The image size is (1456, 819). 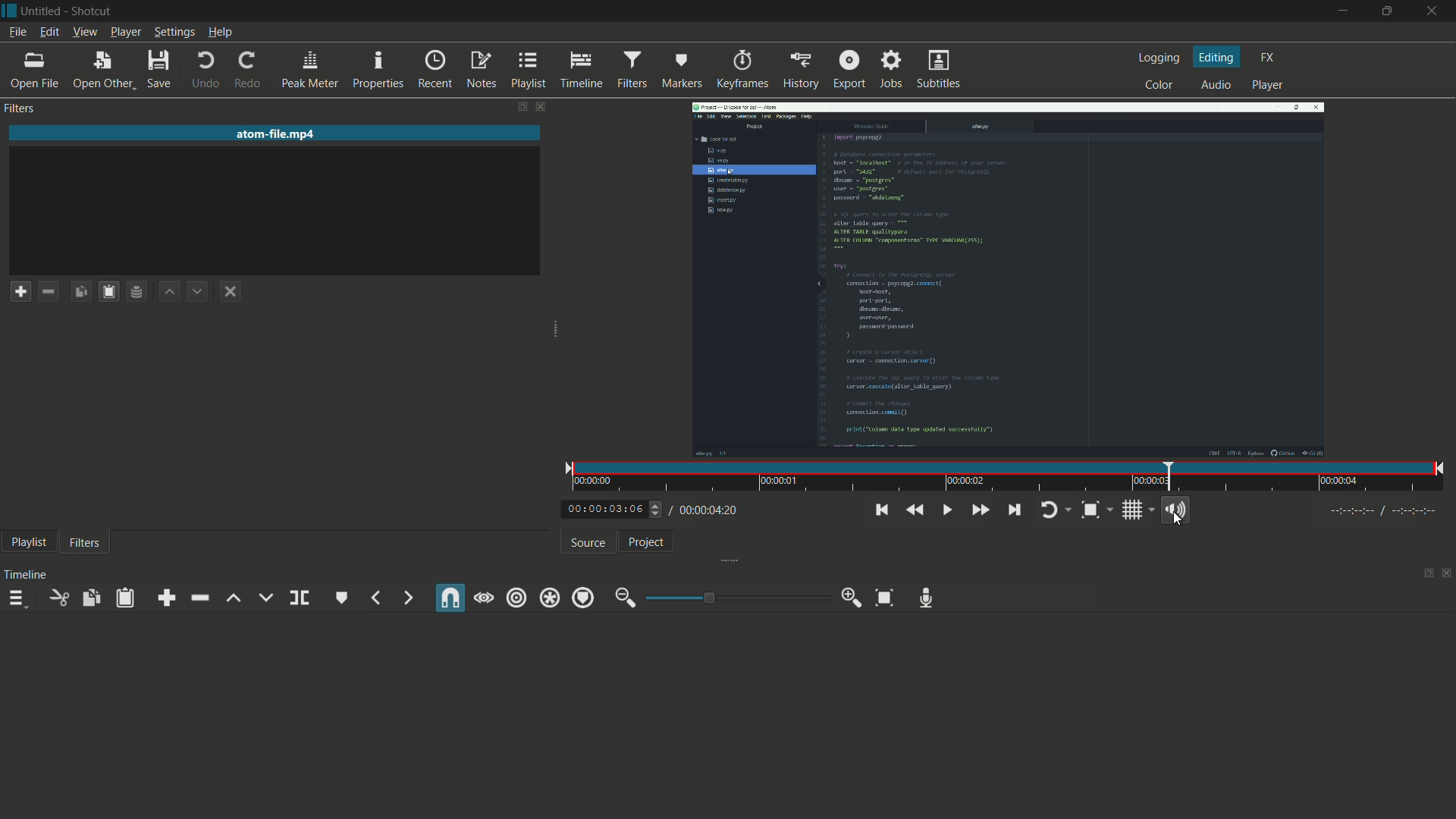 What do you see at coordinates (20, 290) in the screenshot?
I see `add a filter` at bounding box center [20, 290].